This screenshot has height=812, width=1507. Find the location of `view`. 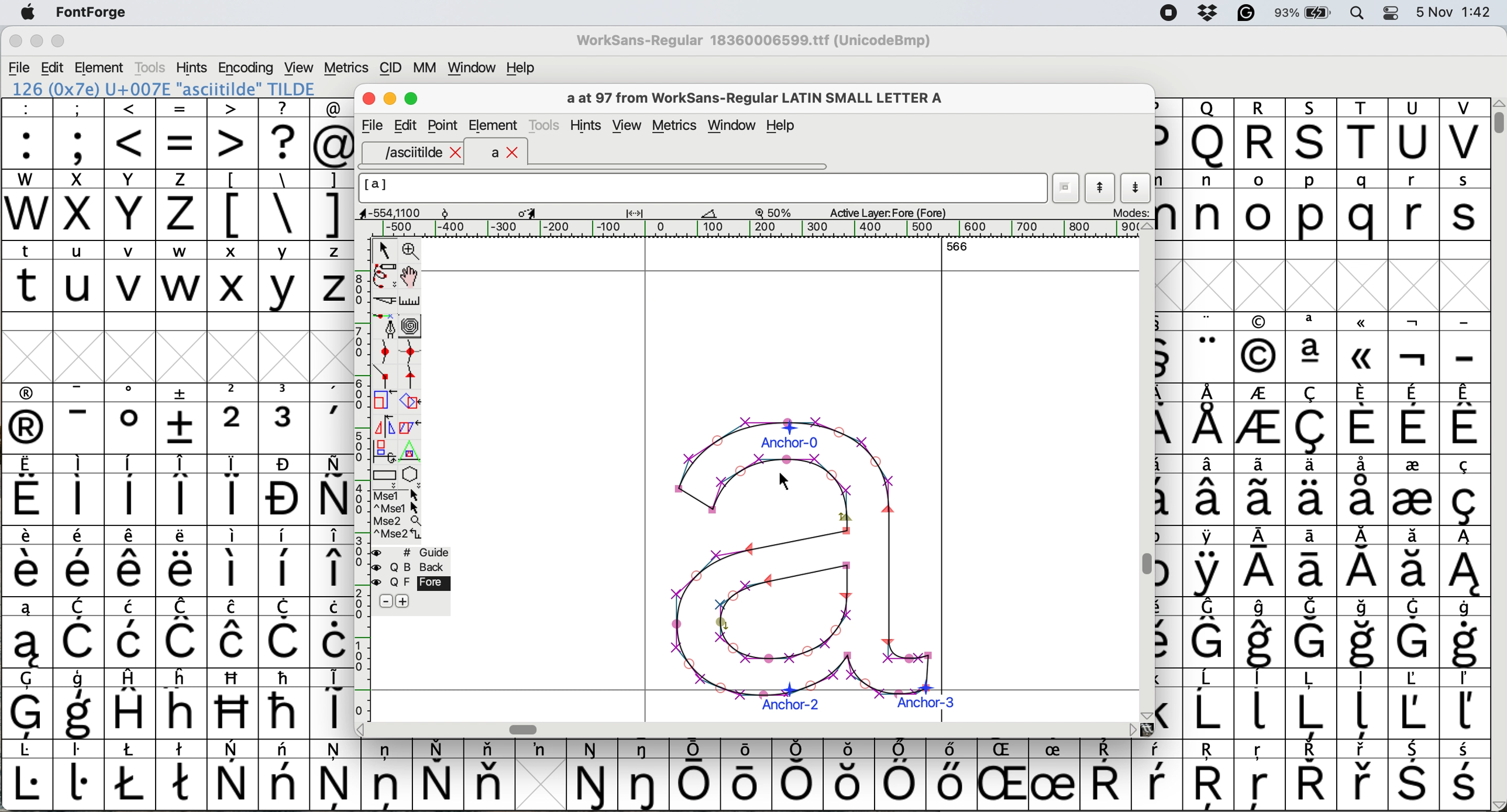

view is located at coordinates (626, 126).